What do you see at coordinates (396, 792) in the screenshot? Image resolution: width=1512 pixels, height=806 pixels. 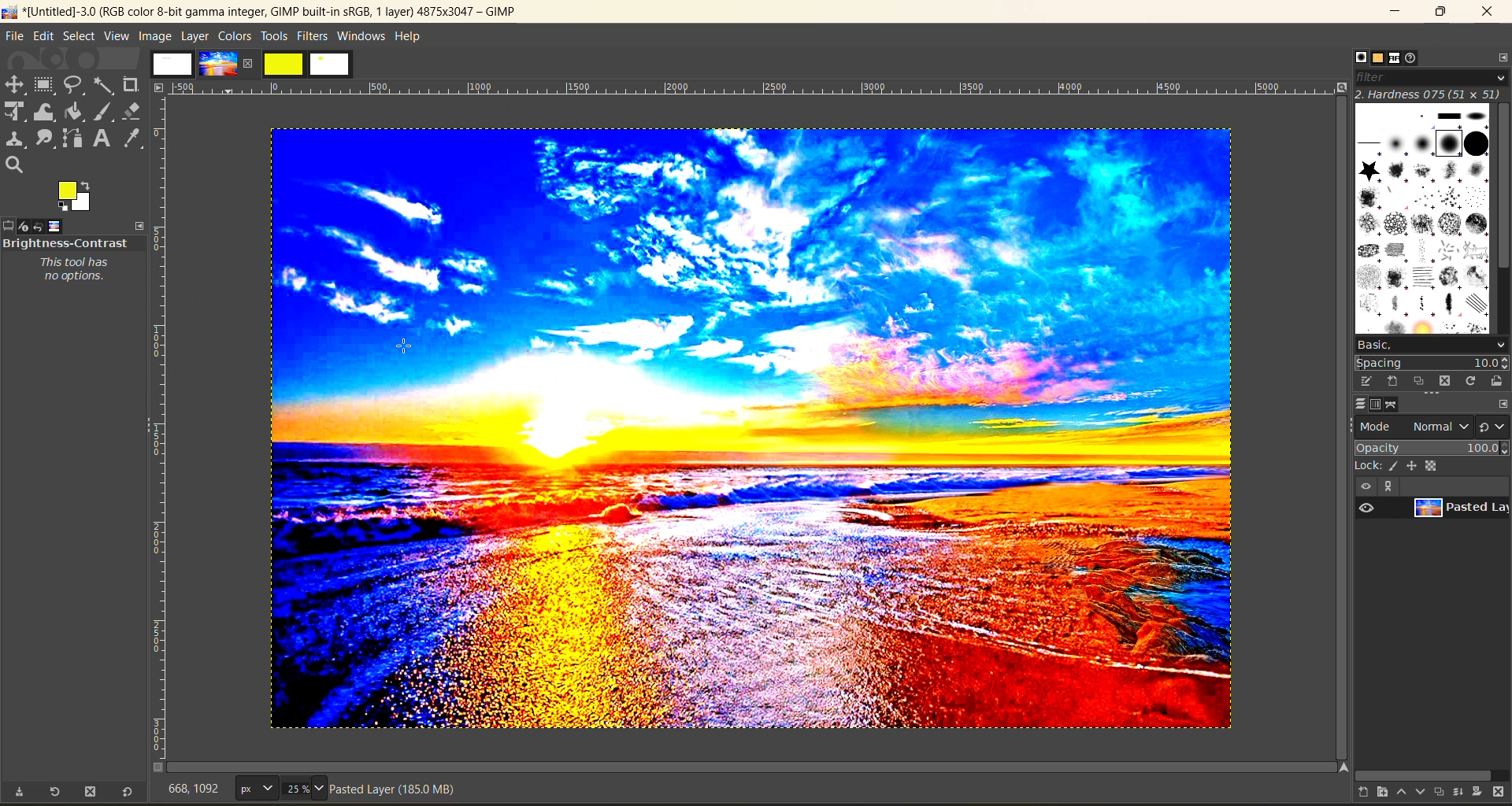 I see `meta data` at bounding box center [396, 792].